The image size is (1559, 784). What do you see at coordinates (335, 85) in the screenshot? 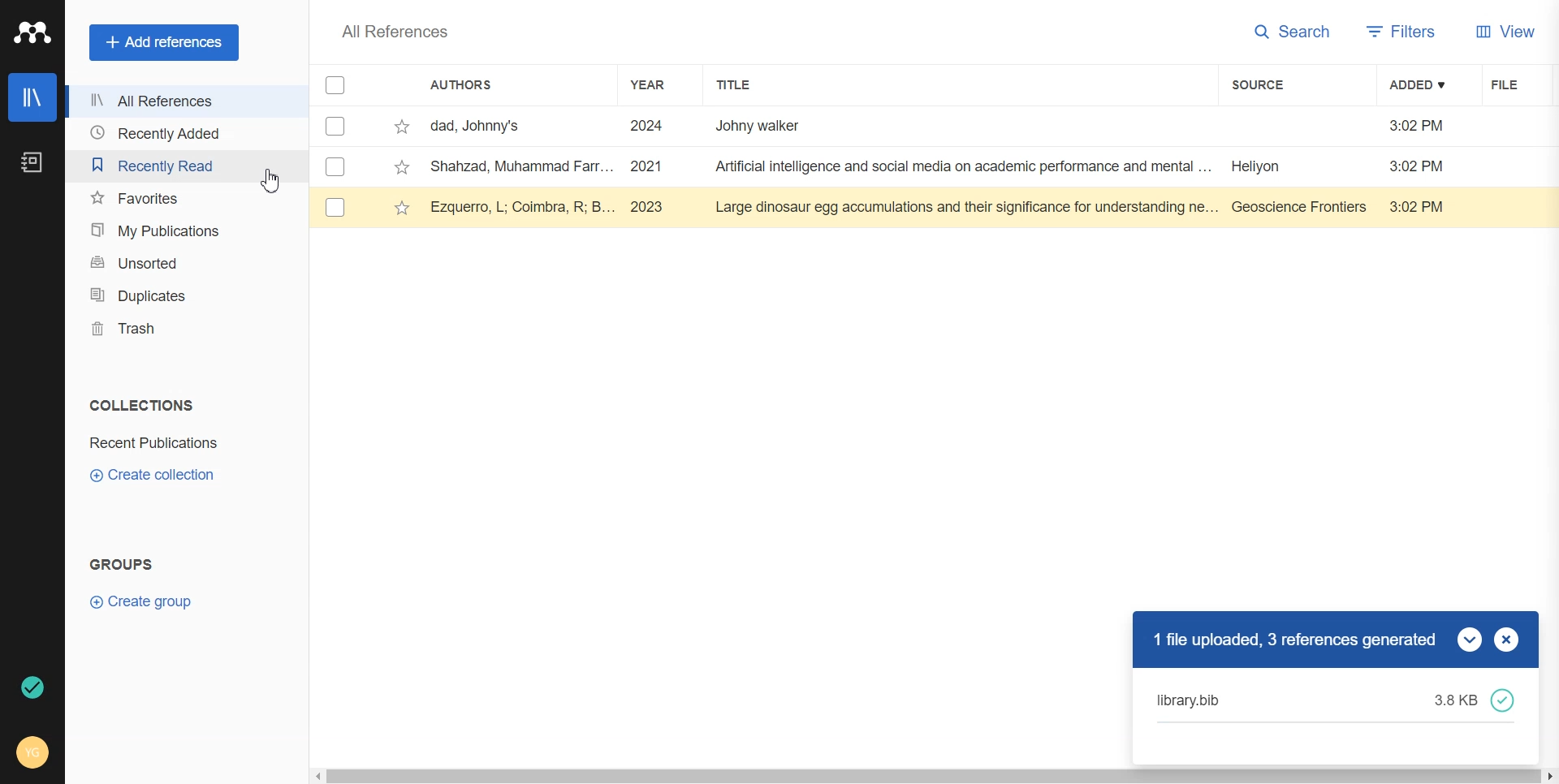
I see `Checklist` at bounding box center [335, 85].